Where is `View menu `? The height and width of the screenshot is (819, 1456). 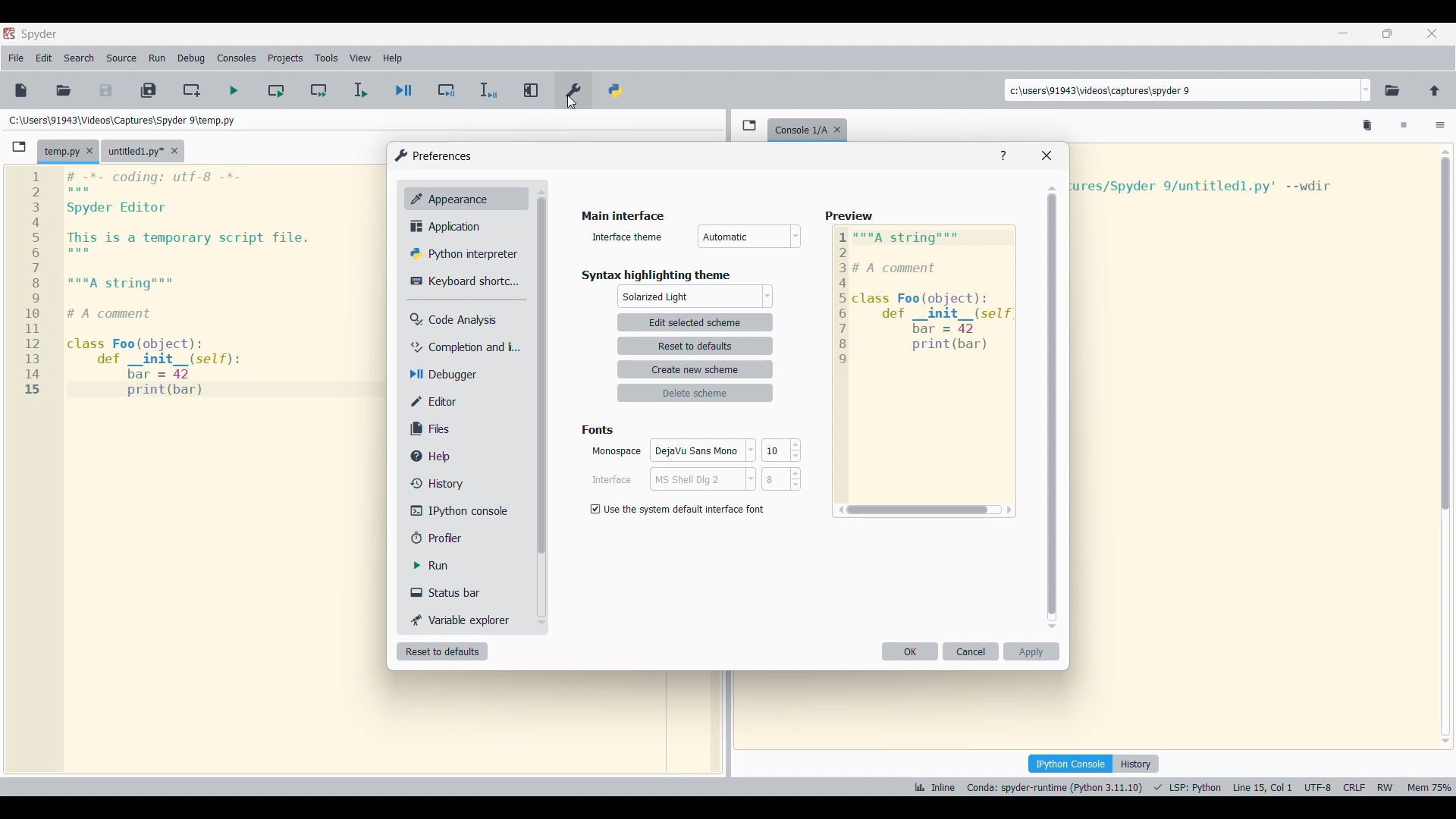 View menu  is located at coordinates (360, 58).